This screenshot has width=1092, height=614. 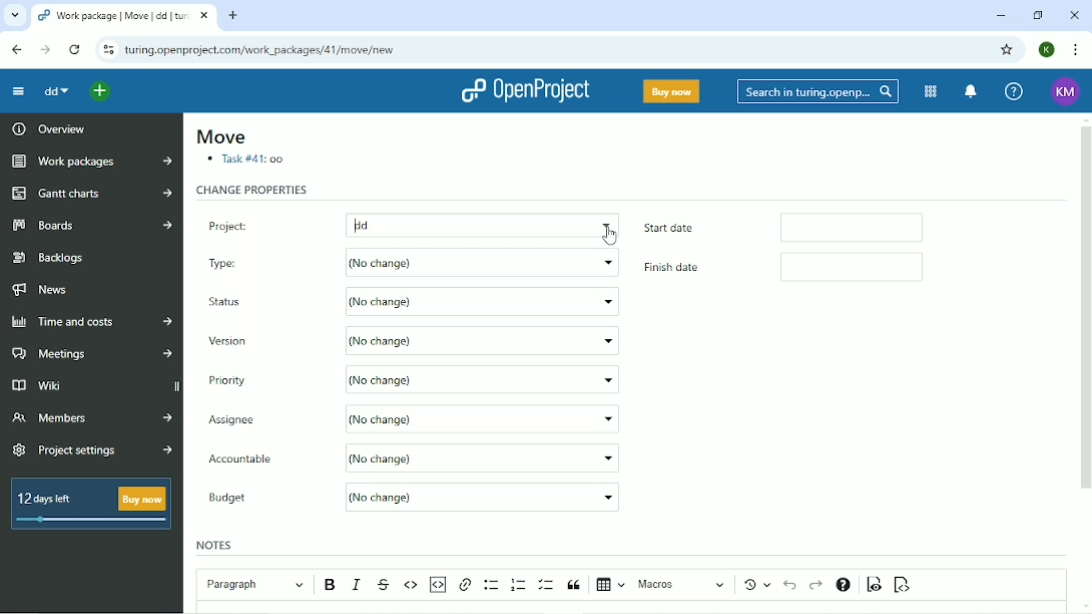 What do you see at coordinates (248, 161) in the screenshot?
I see `Task` at bounding box center [248, 161].